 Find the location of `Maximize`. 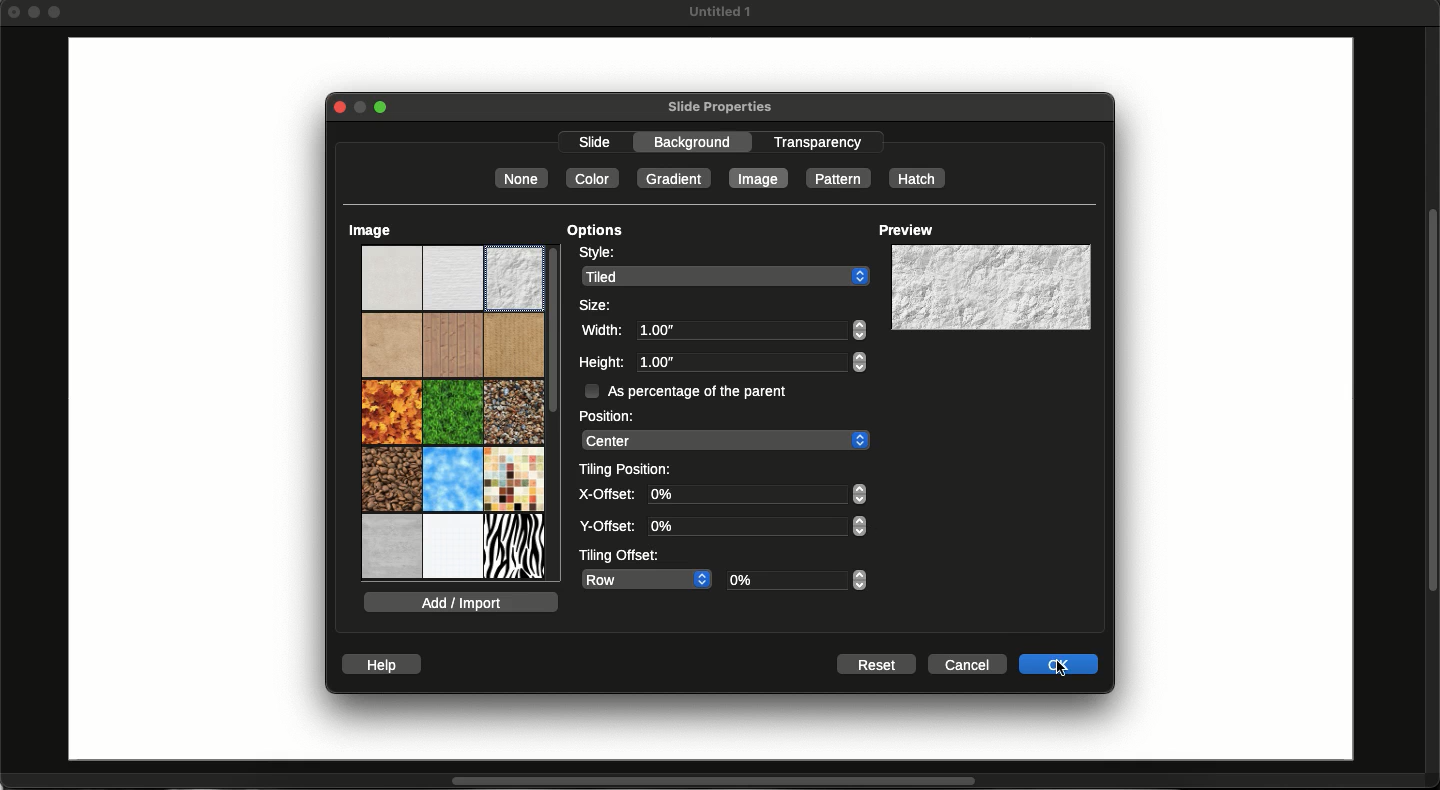

Maximize is located at coordinates (385, 108).